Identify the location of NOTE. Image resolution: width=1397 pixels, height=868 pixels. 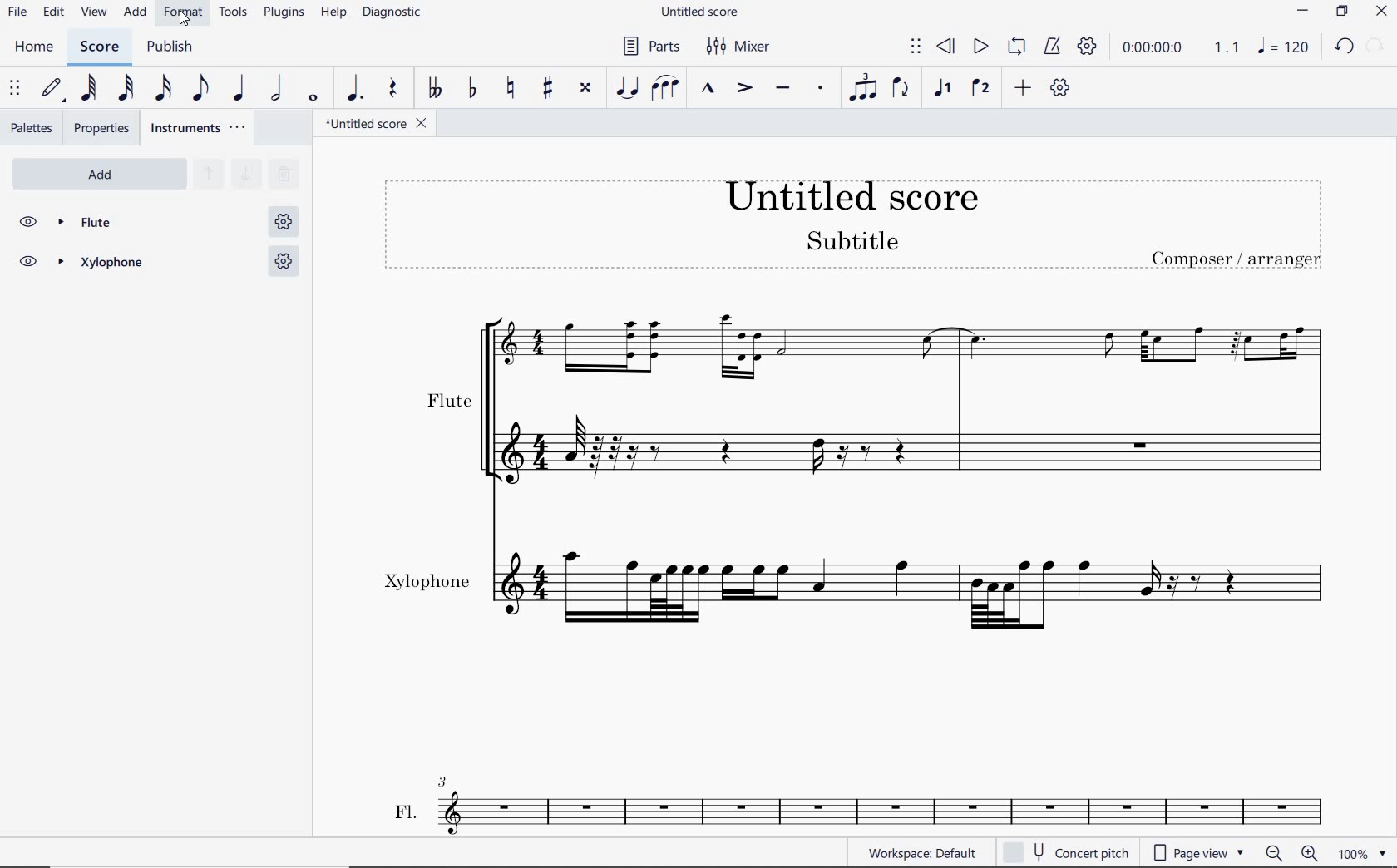
(1281, 48).